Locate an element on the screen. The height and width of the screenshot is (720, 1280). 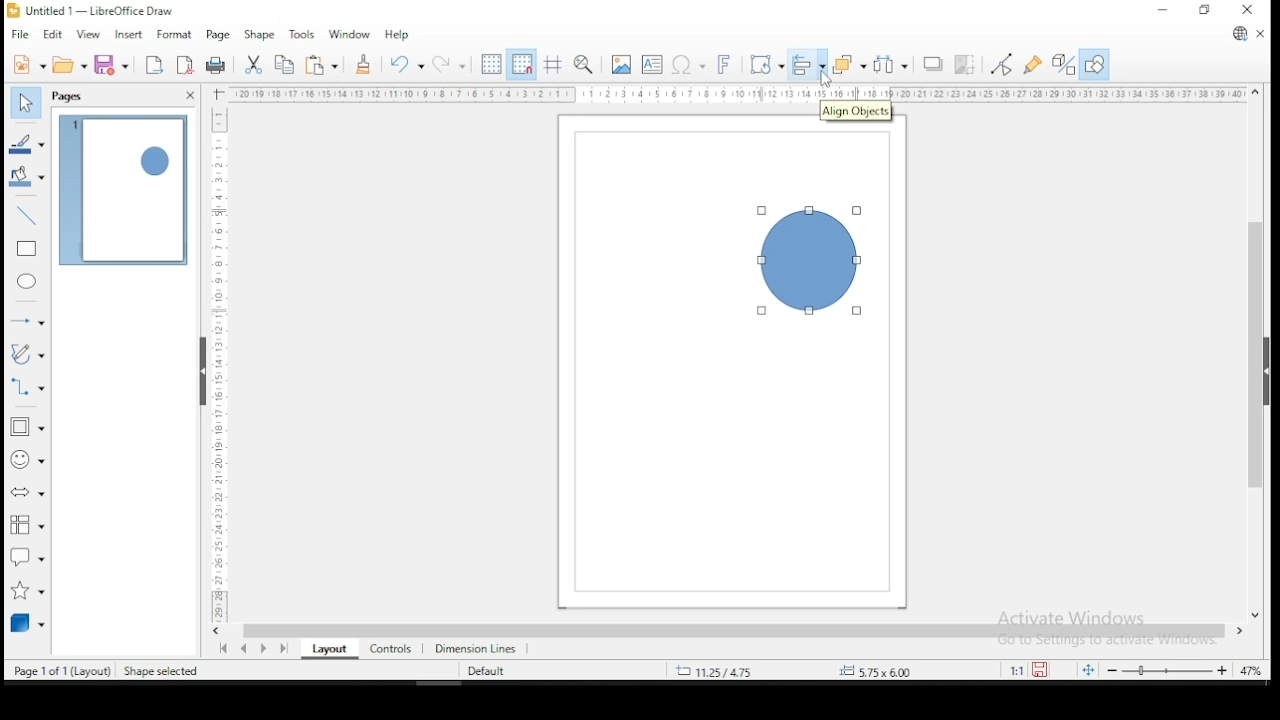
ellipse is located at coordinates (28, 281).